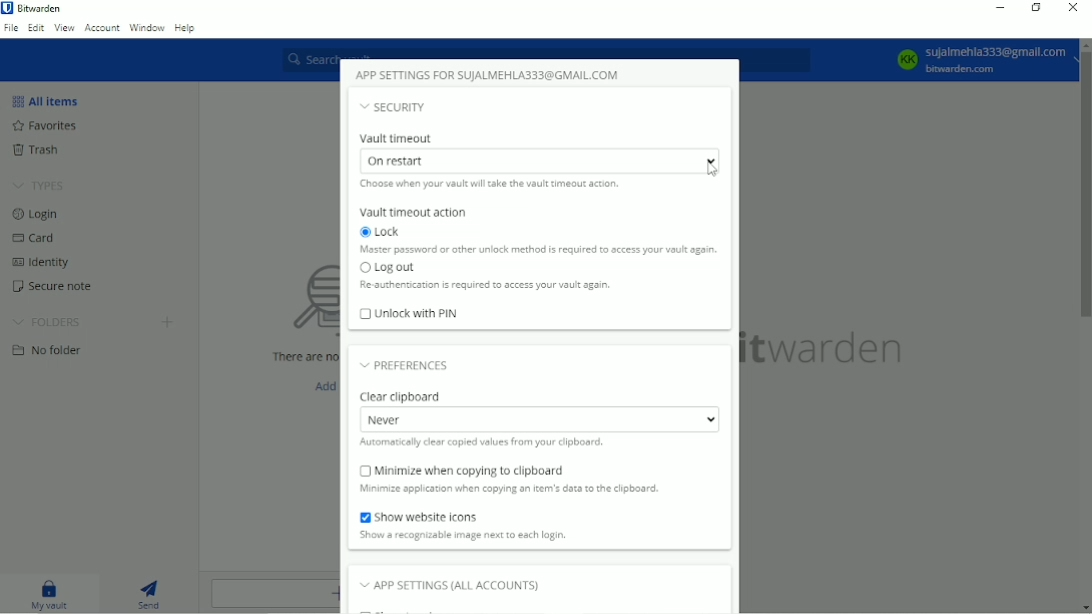  Describe the element at coordinates (154, 595) in the screenshot. I see `Send` at that location.